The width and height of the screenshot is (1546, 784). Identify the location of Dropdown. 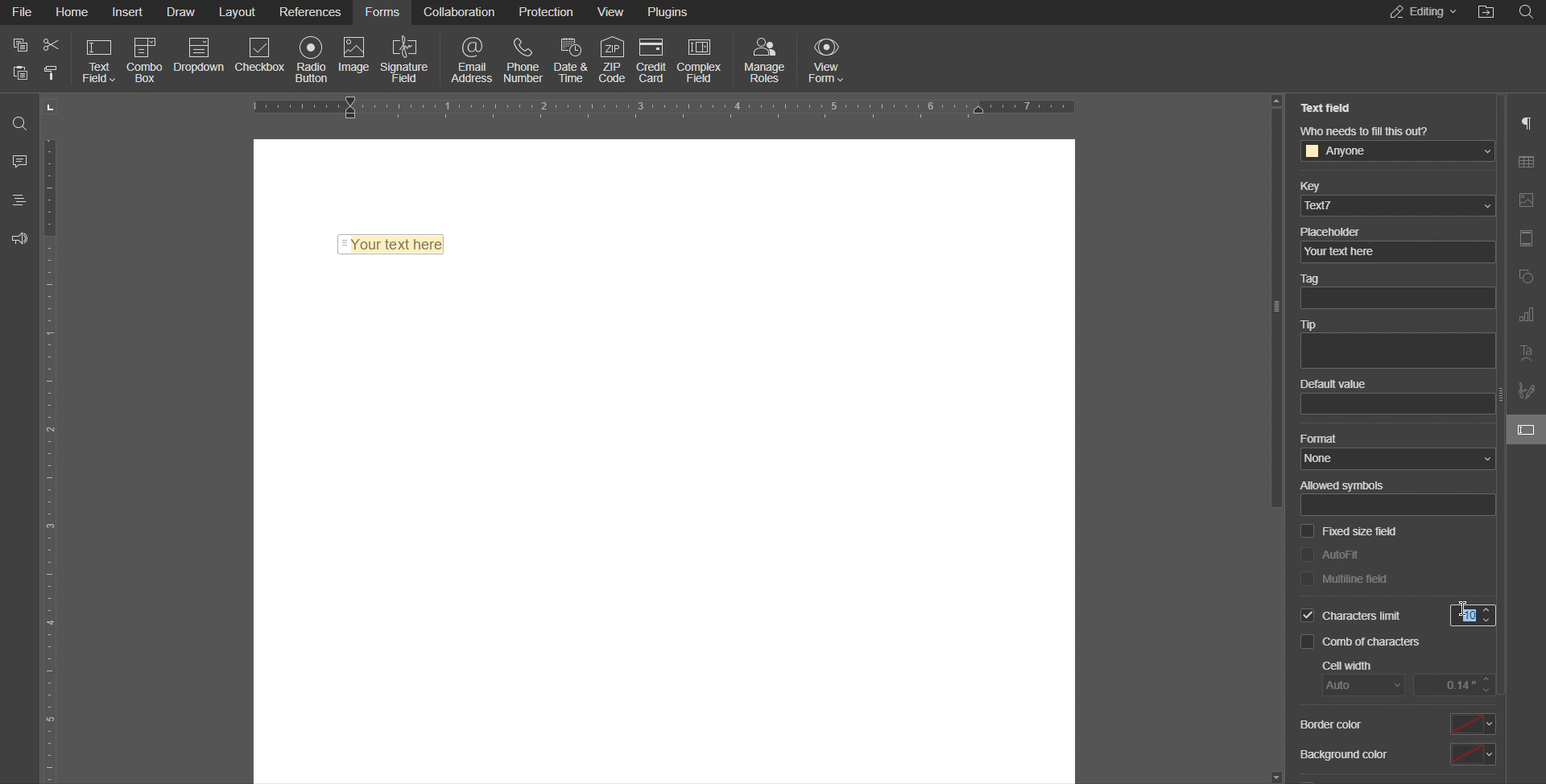
(196, 58).